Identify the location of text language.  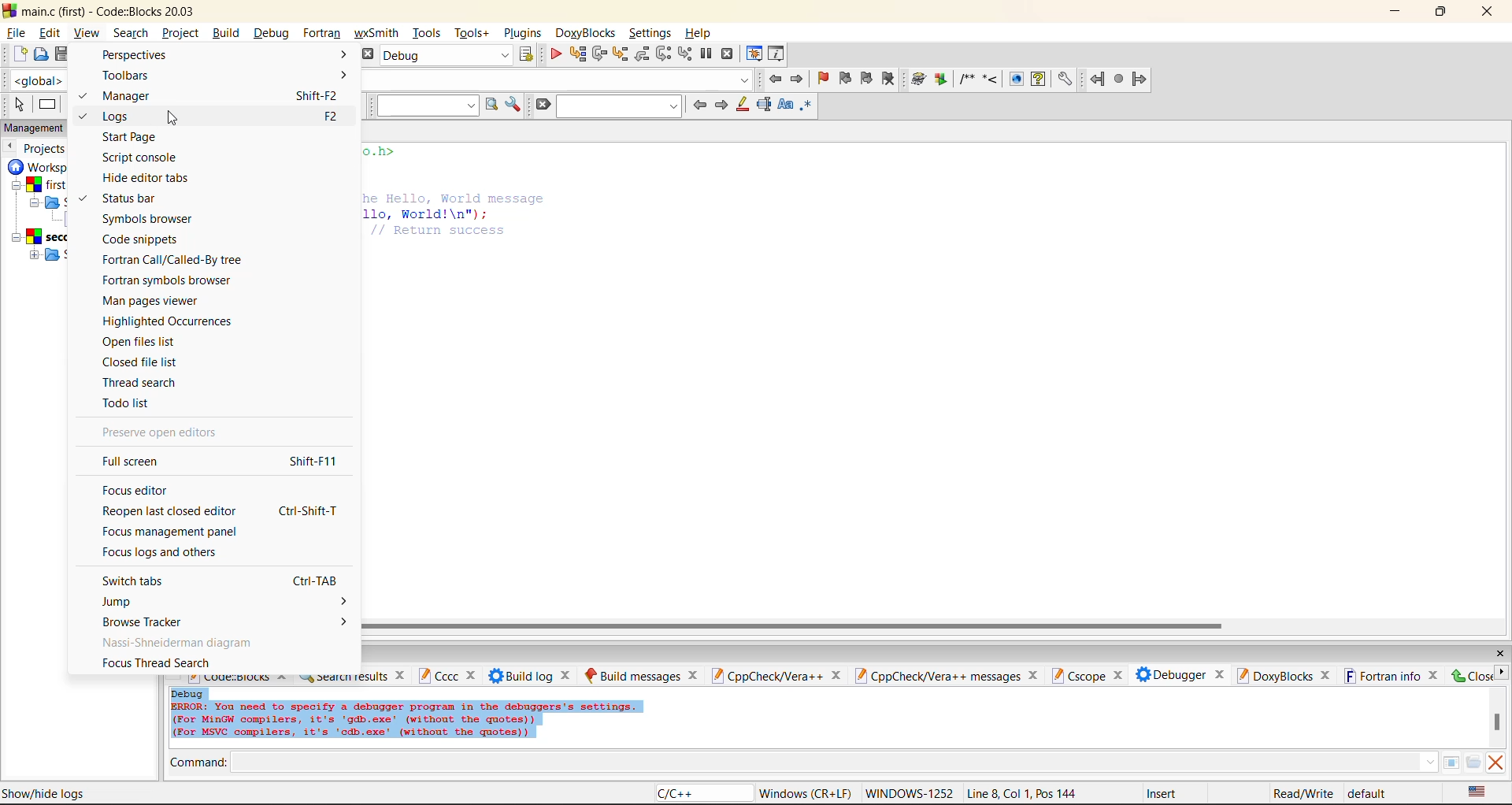
(1479, 792).